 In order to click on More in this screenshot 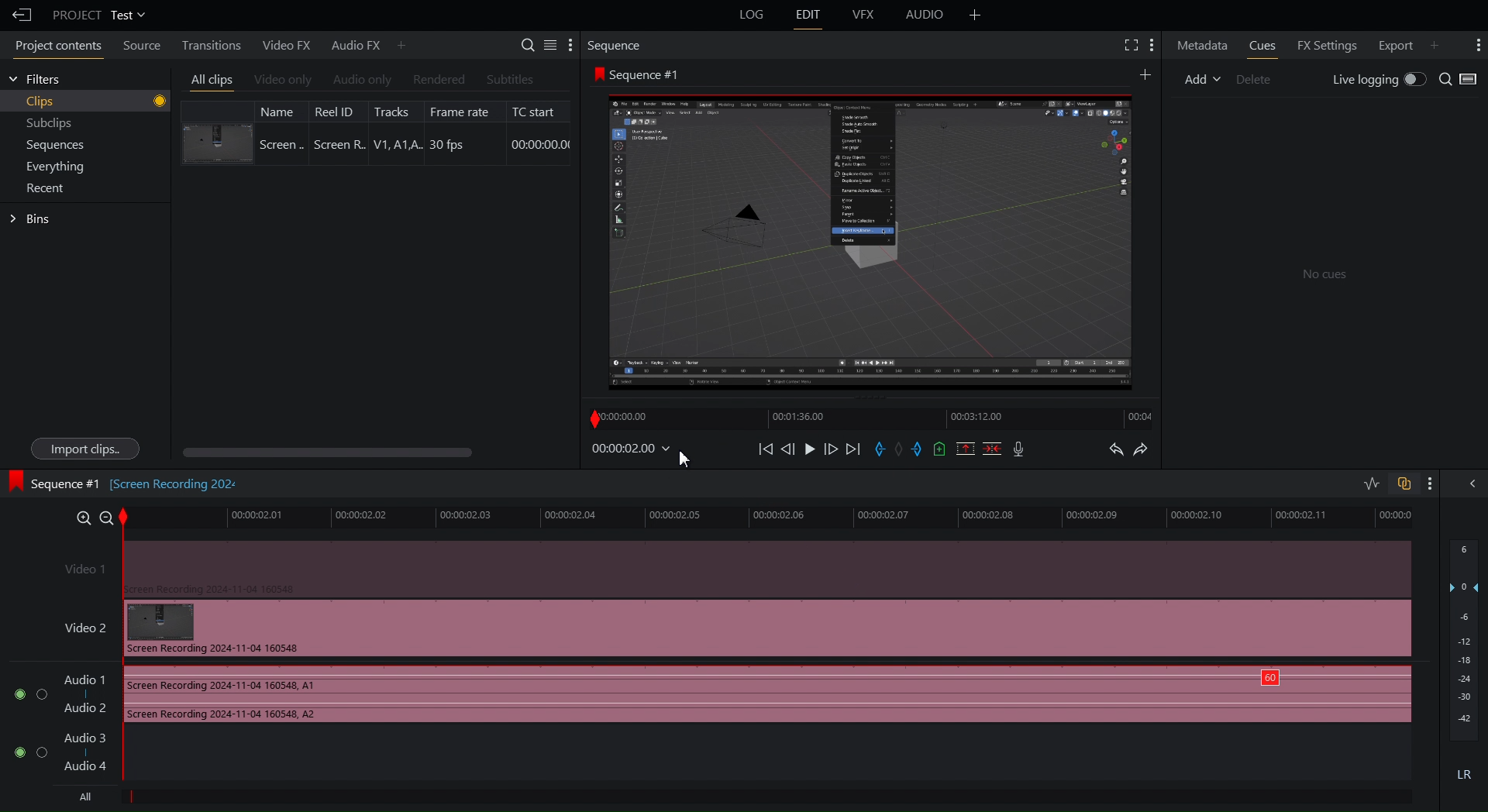, I will do `click(1441, 43)`.